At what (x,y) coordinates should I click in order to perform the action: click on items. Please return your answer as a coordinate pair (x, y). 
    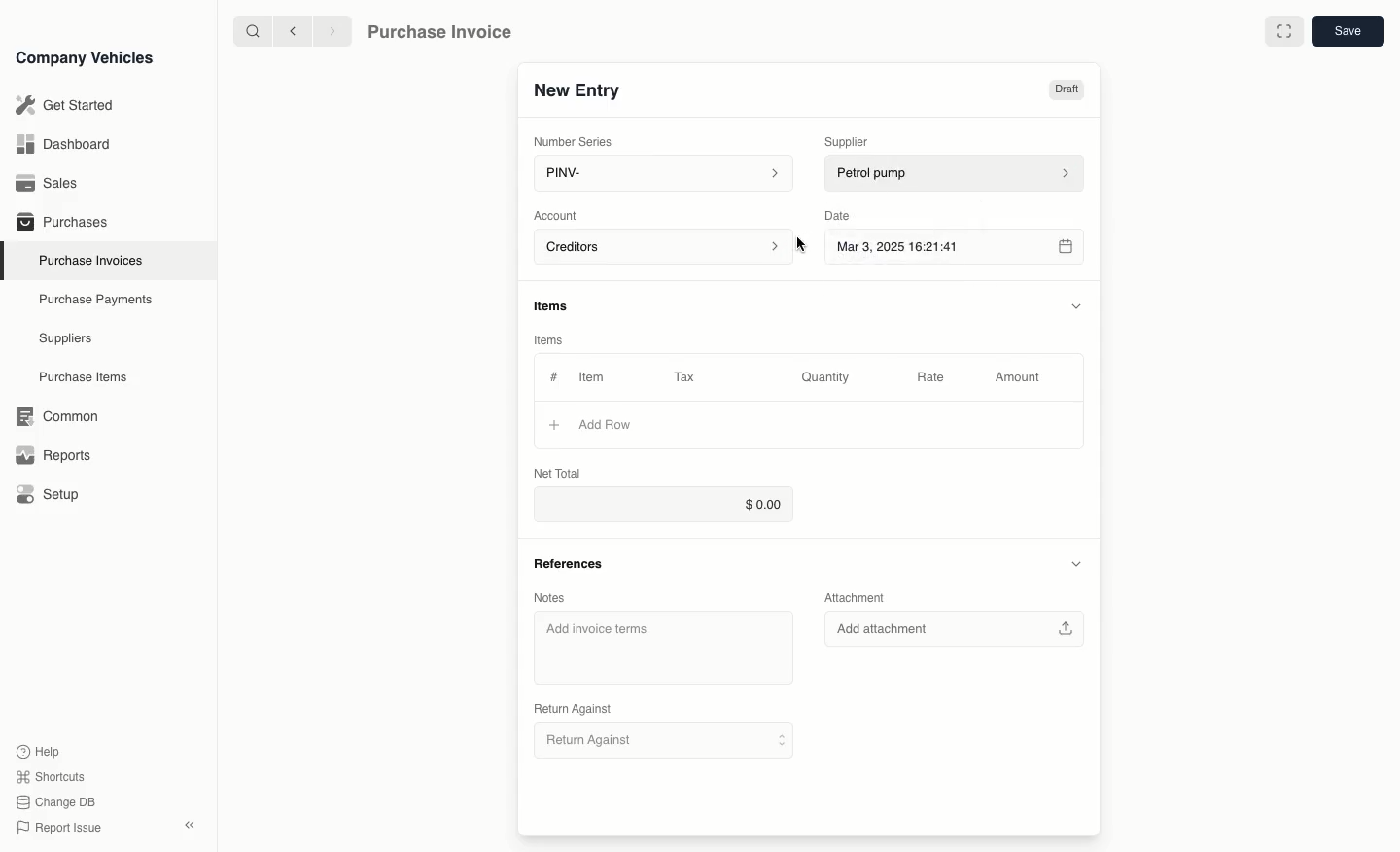
    Looking at the image, I should click on (552, 339).